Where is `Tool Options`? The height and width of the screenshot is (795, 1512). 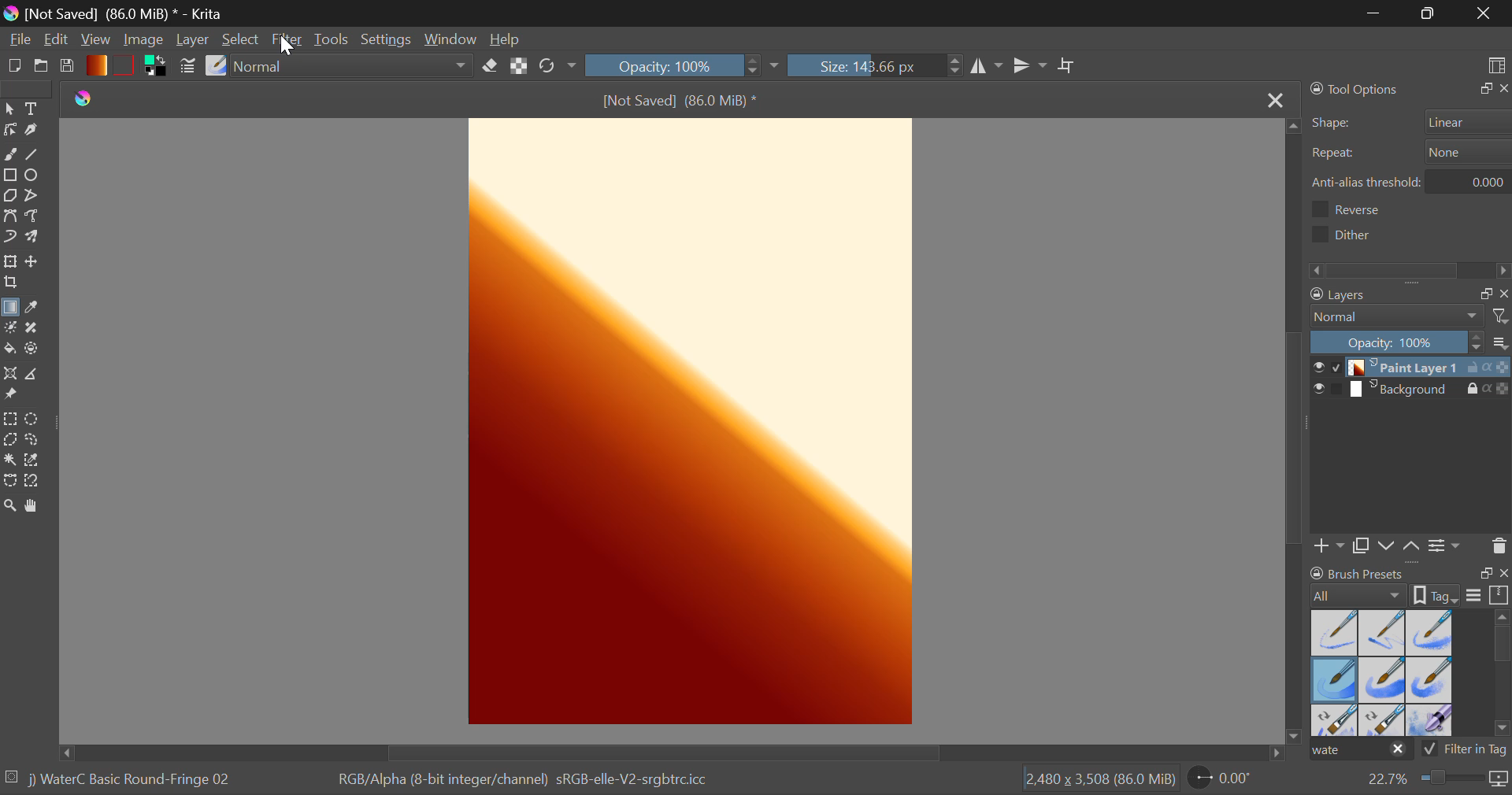 Tool Options is located at coordinates (1356, 89).